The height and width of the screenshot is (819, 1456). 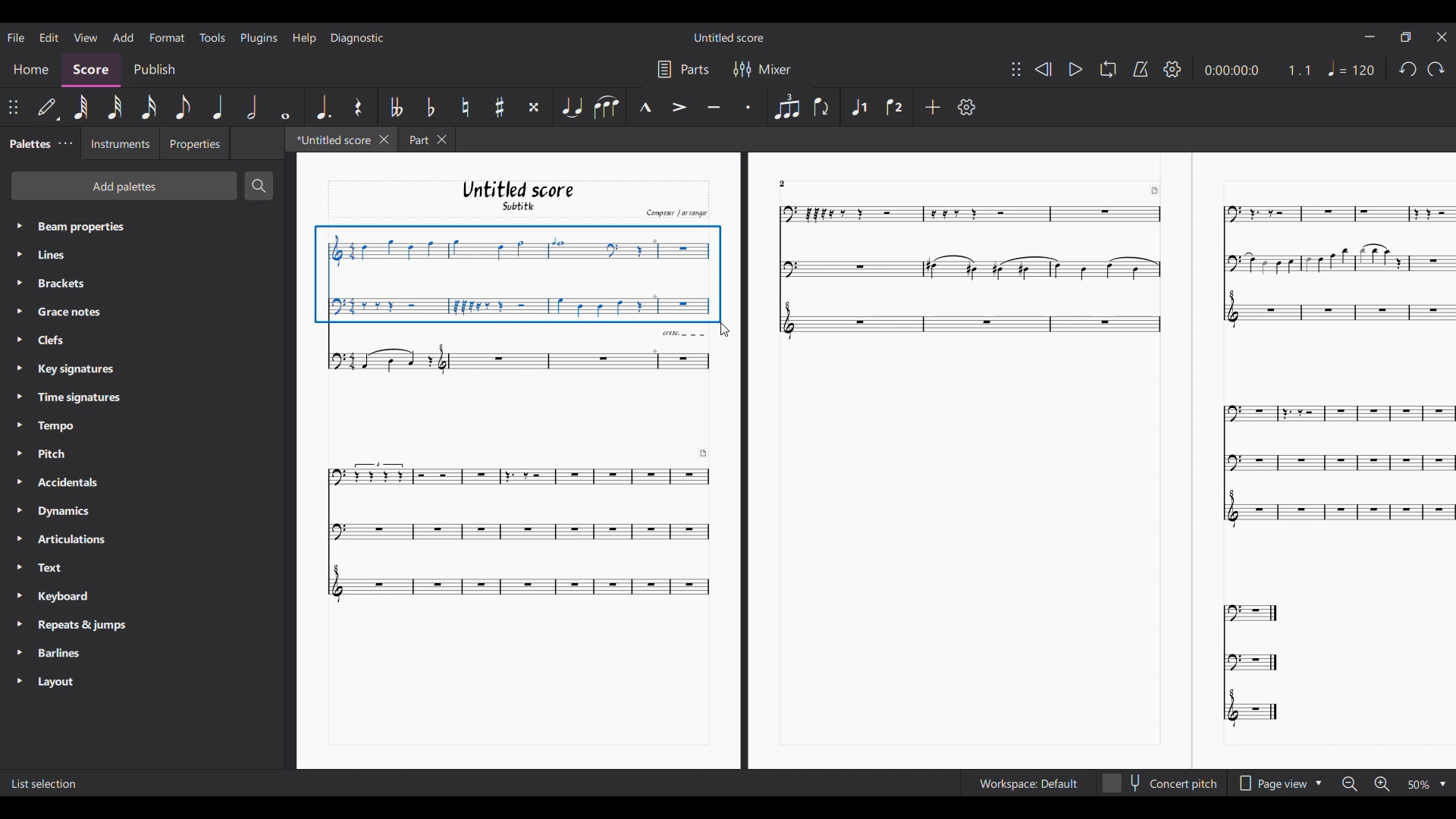 I want to click on Help, so click(x=303, y=39).